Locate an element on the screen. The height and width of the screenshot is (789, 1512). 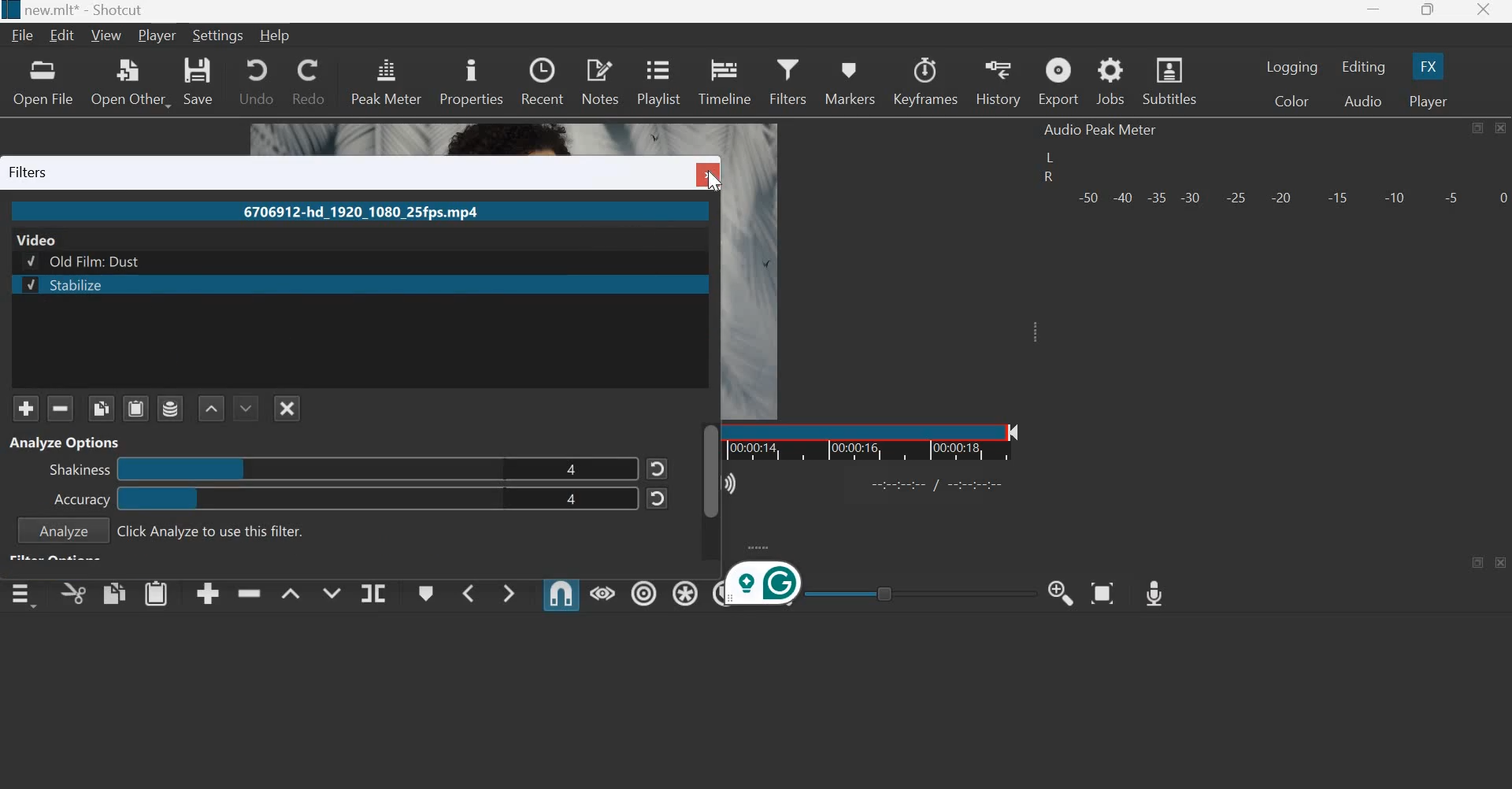
Next Marker is located at coordinates (509, 593).